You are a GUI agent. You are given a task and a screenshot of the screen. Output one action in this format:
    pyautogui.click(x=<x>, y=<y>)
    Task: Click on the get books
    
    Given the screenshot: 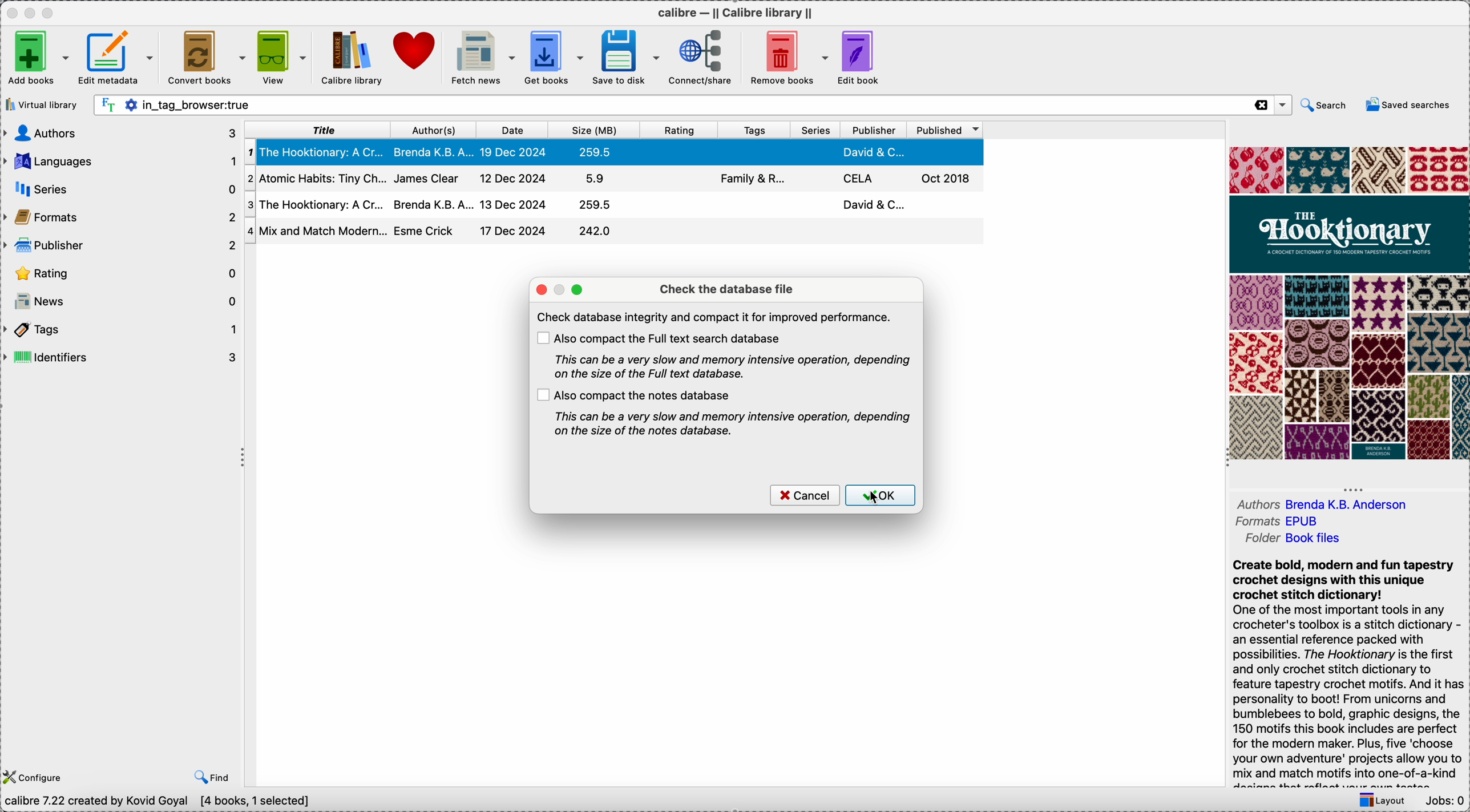 What is the action you would take?
    pyautogui.click(x=555, y=56)
    